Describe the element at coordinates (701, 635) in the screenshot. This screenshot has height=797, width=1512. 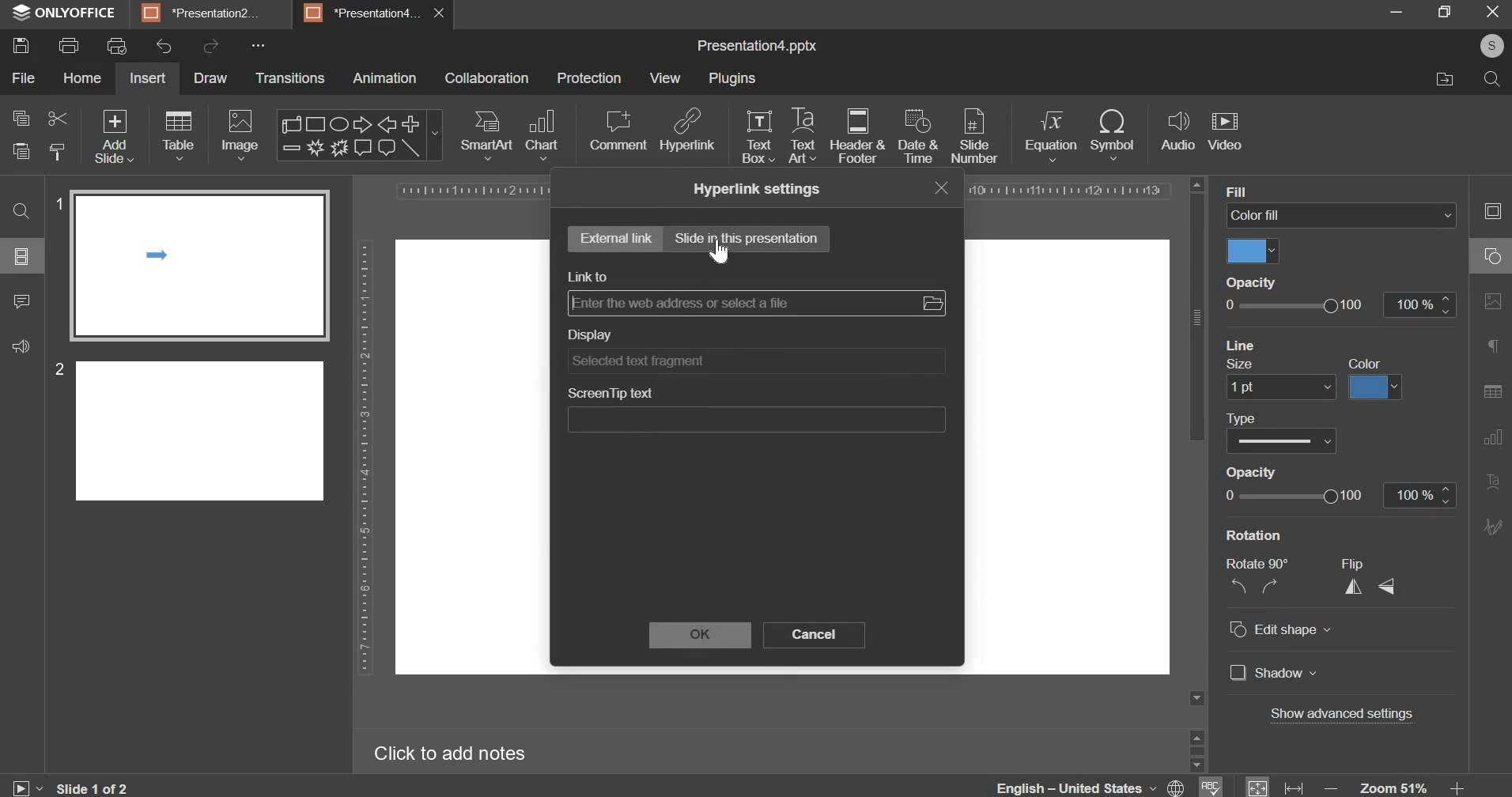
I see `ok` at that location.